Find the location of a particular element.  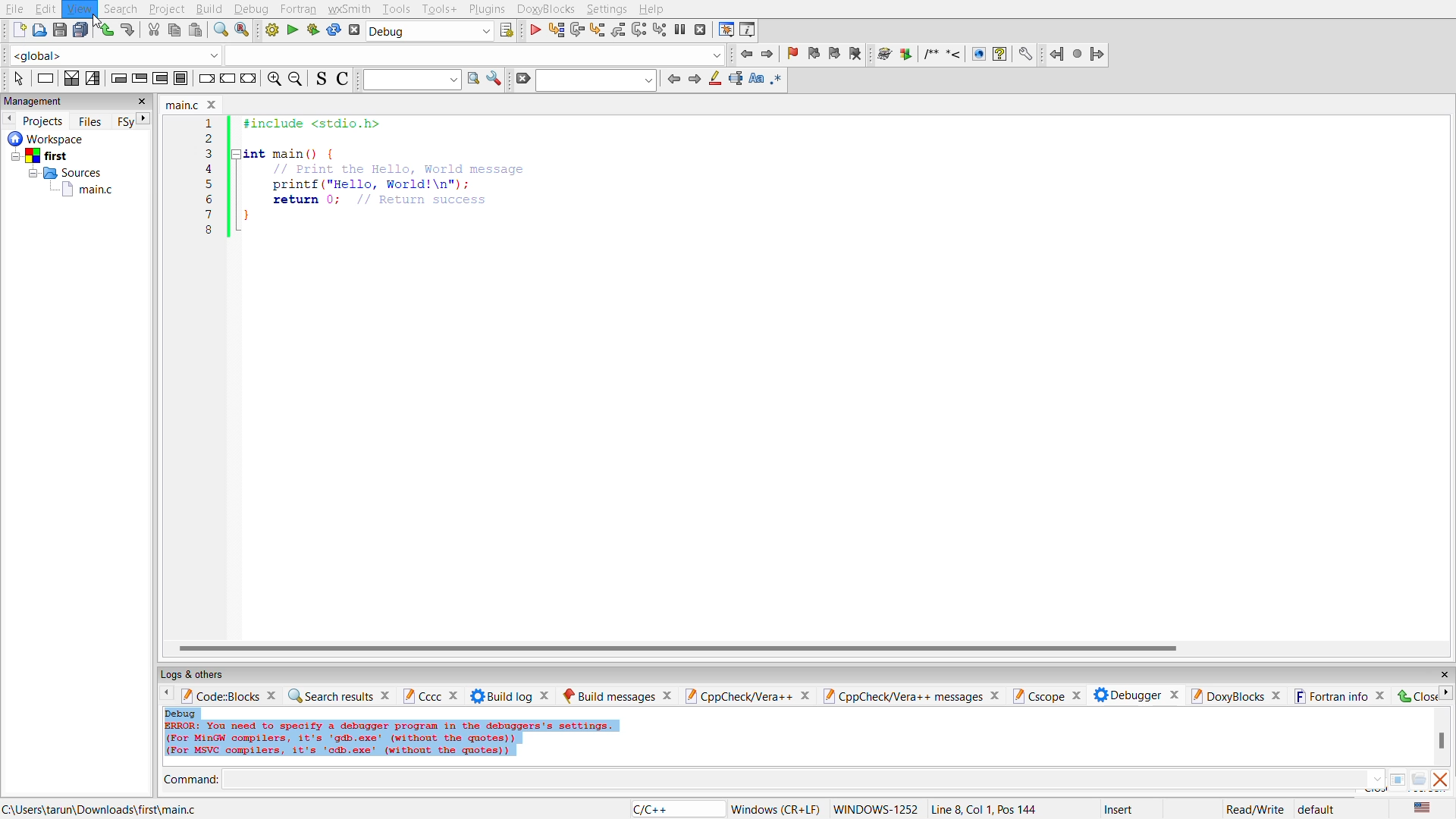

new is located at coordinates (16, 30).